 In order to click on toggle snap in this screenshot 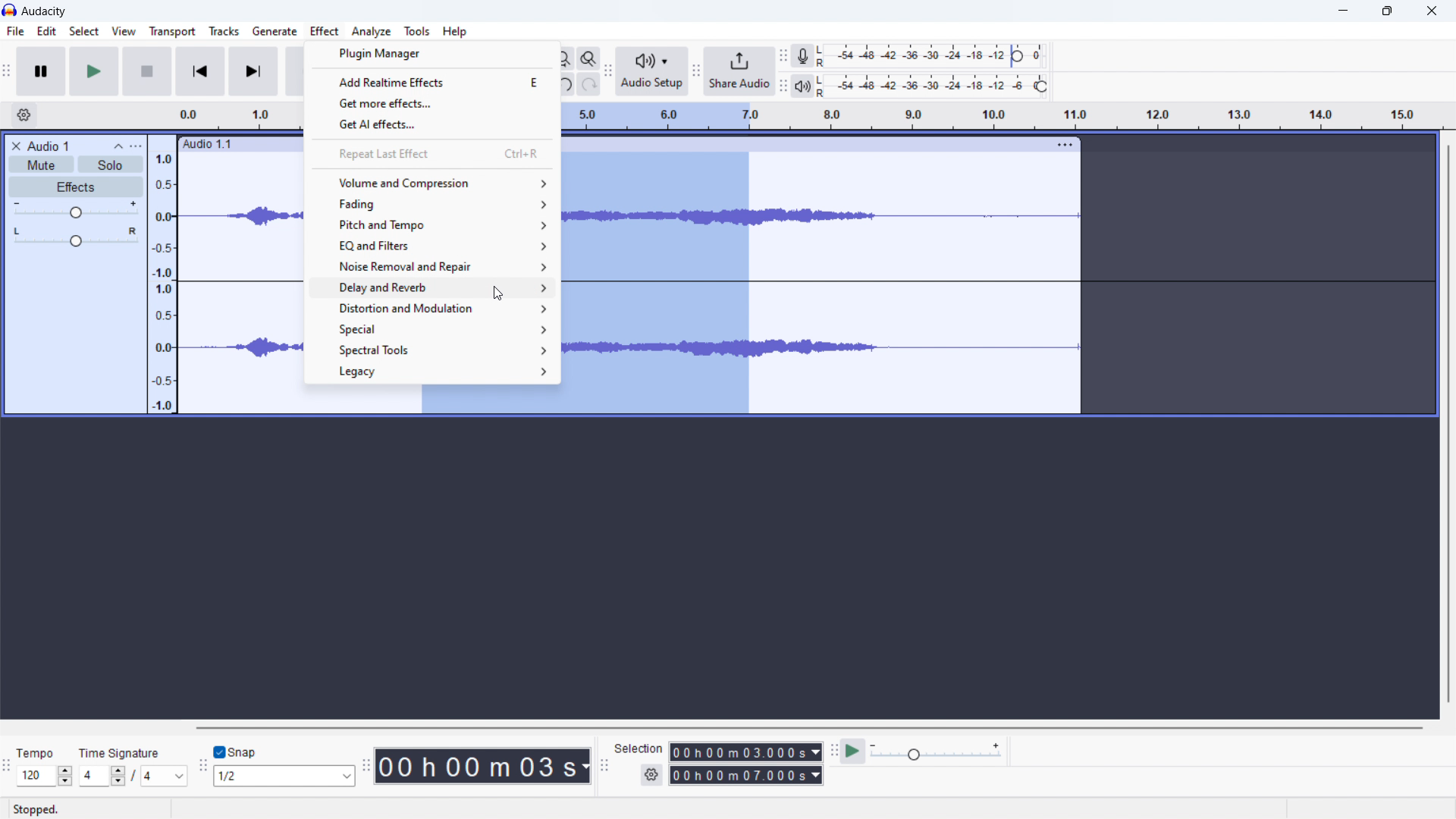, I will do `click(237, 752)`.